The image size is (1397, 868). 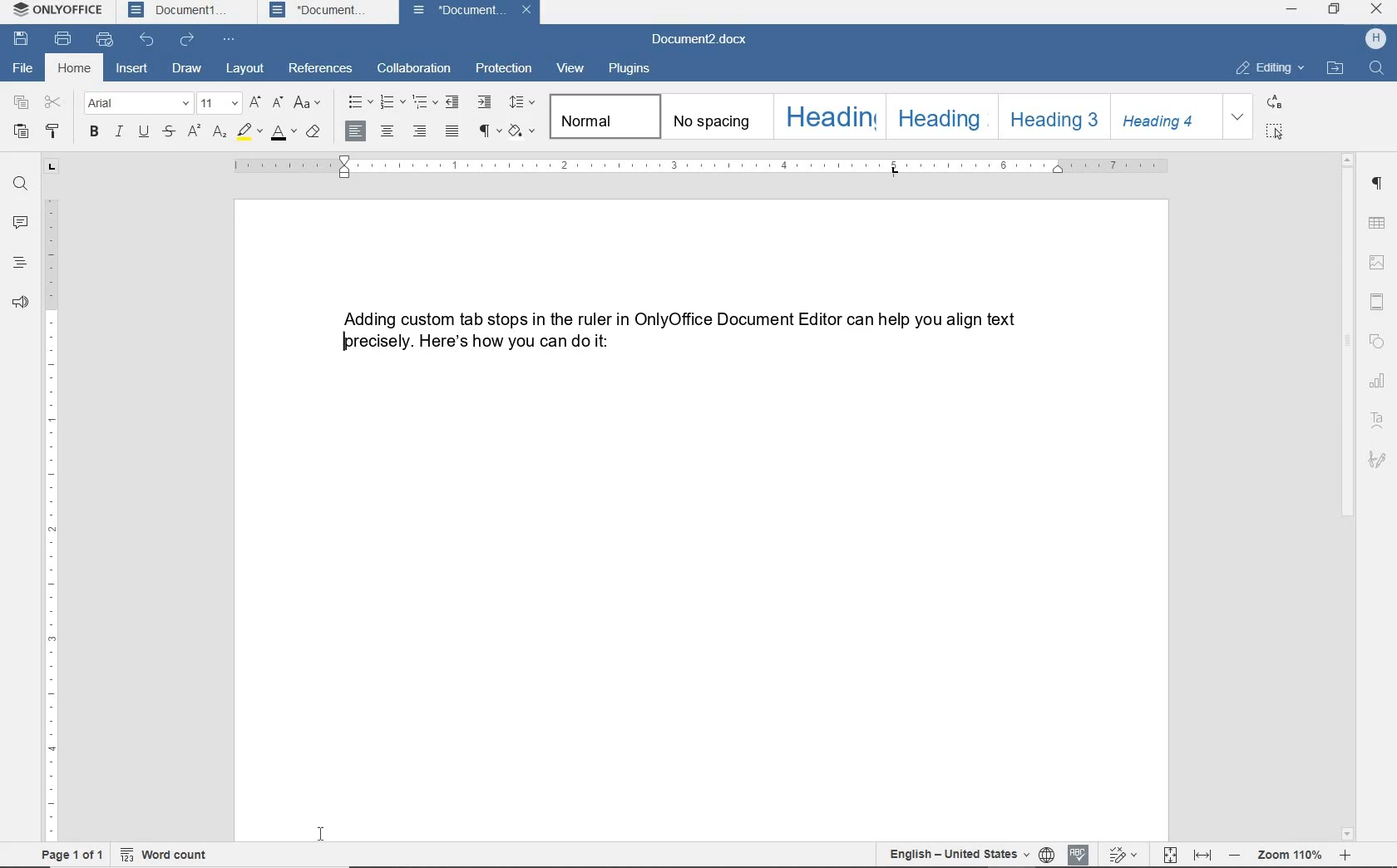 I want to click on paragraph settings, so click(x=1378, y=183).